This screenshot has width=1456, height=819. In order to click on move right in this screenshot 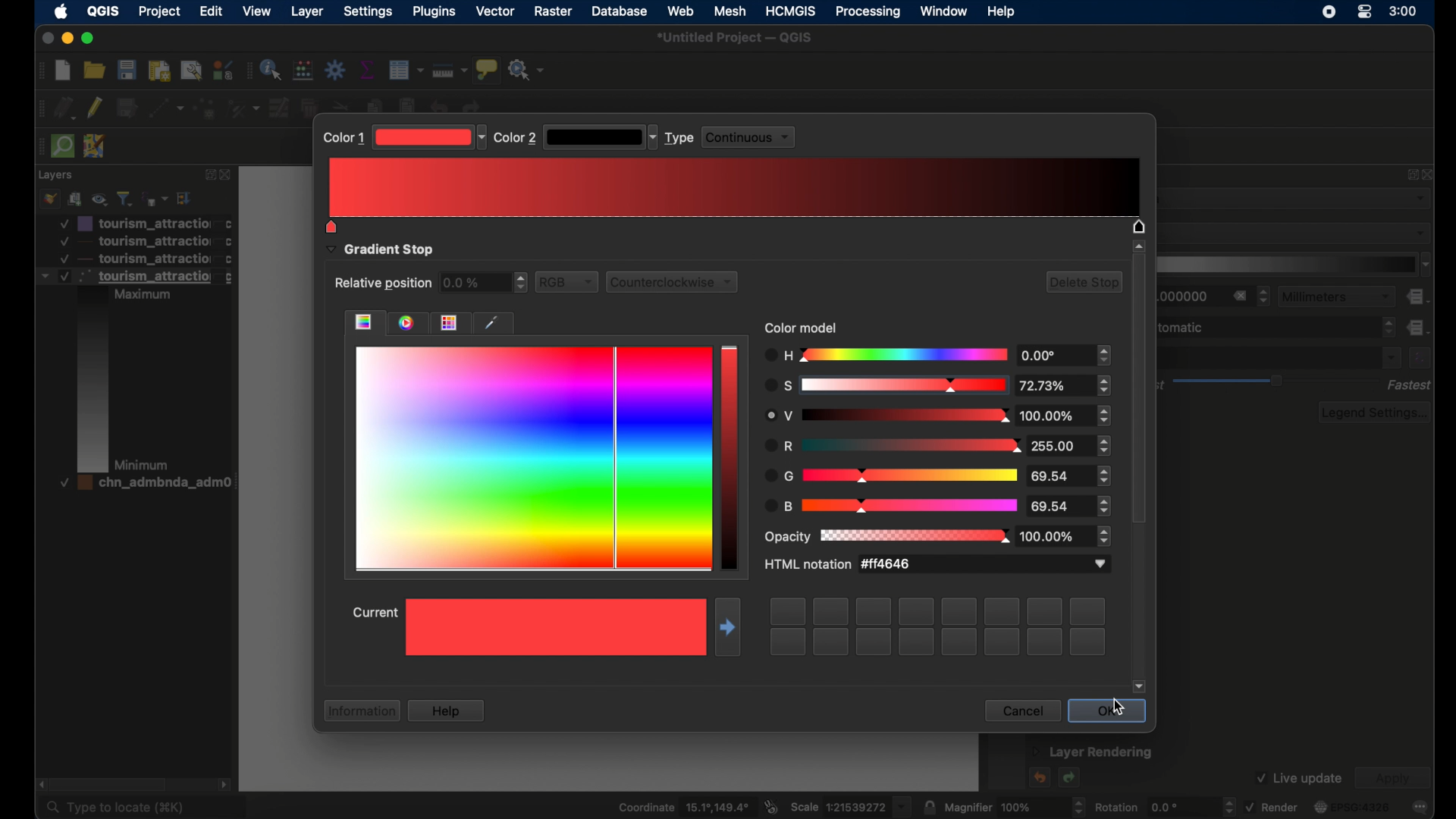, I will do `click(728, 627)`.